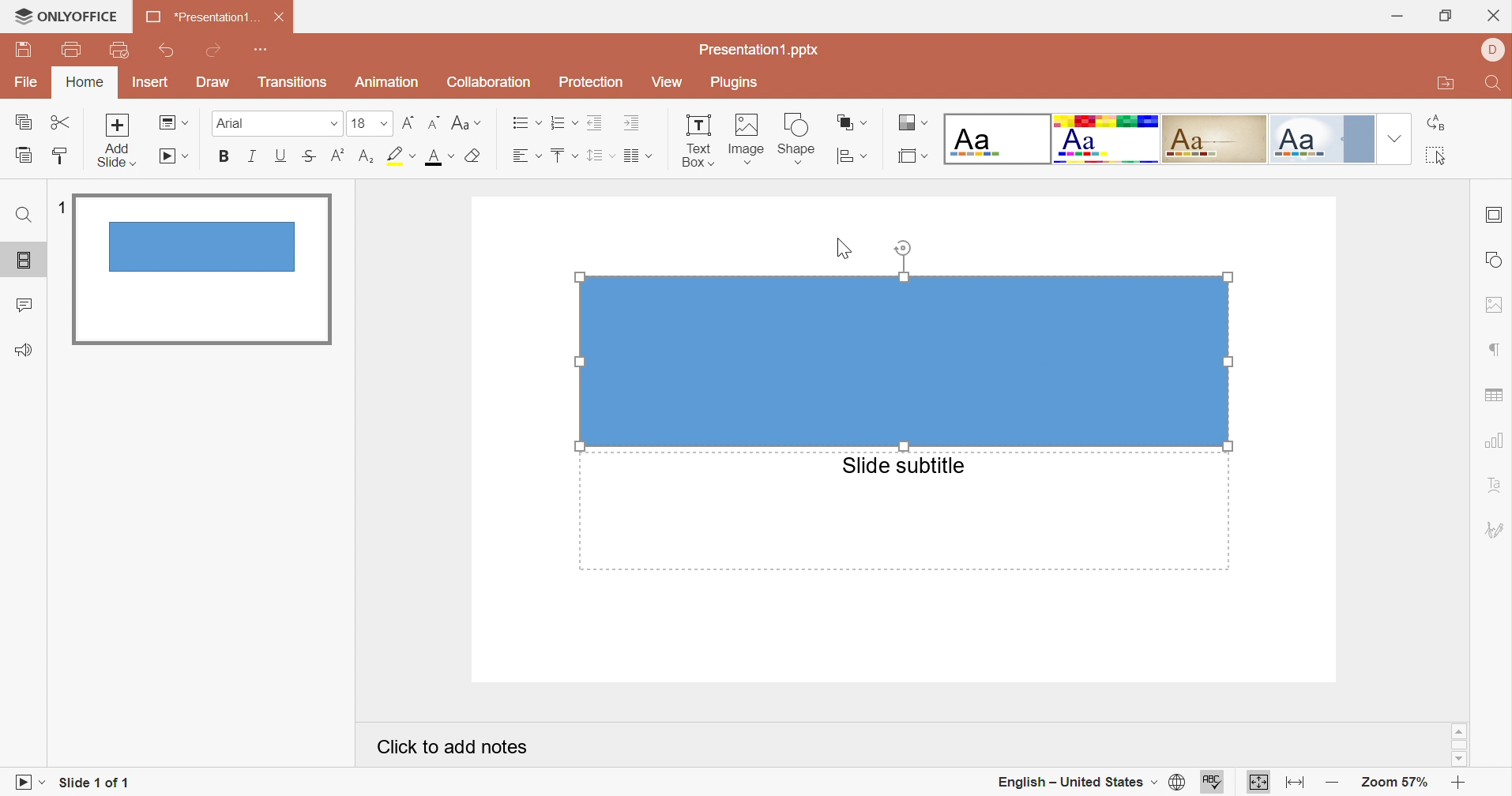 The image size is (1512, 796). What do you see at coordinates (23, 351) in the screenshot?
I see `Support & Feedback` at bounding box center [23, 351].